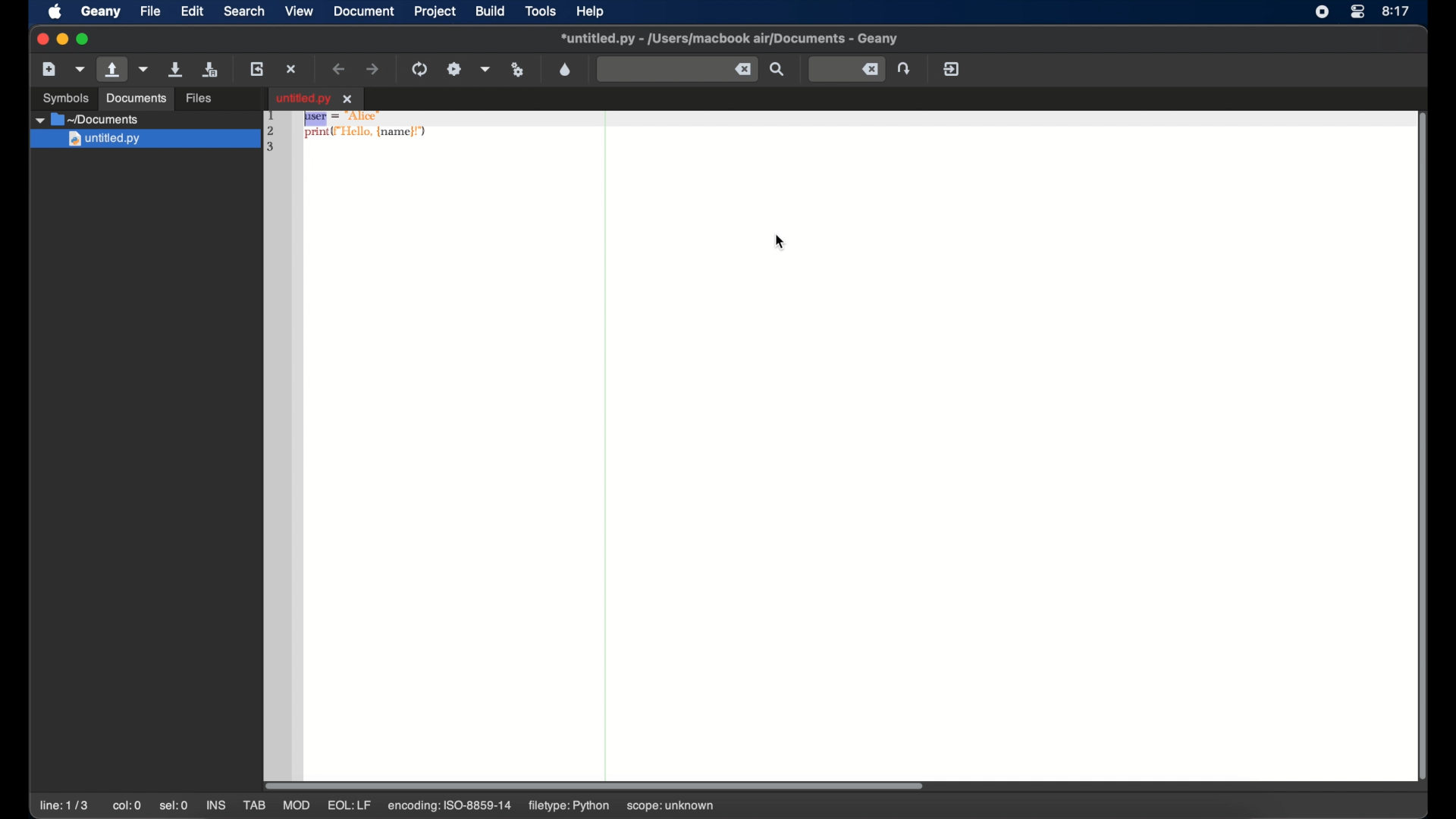 The width and height of the screenshot is (1456, 819). What do you see at coordinates (568, 809) in the screenshot?
I see `filetype: python` at bounding box center [568, 809].